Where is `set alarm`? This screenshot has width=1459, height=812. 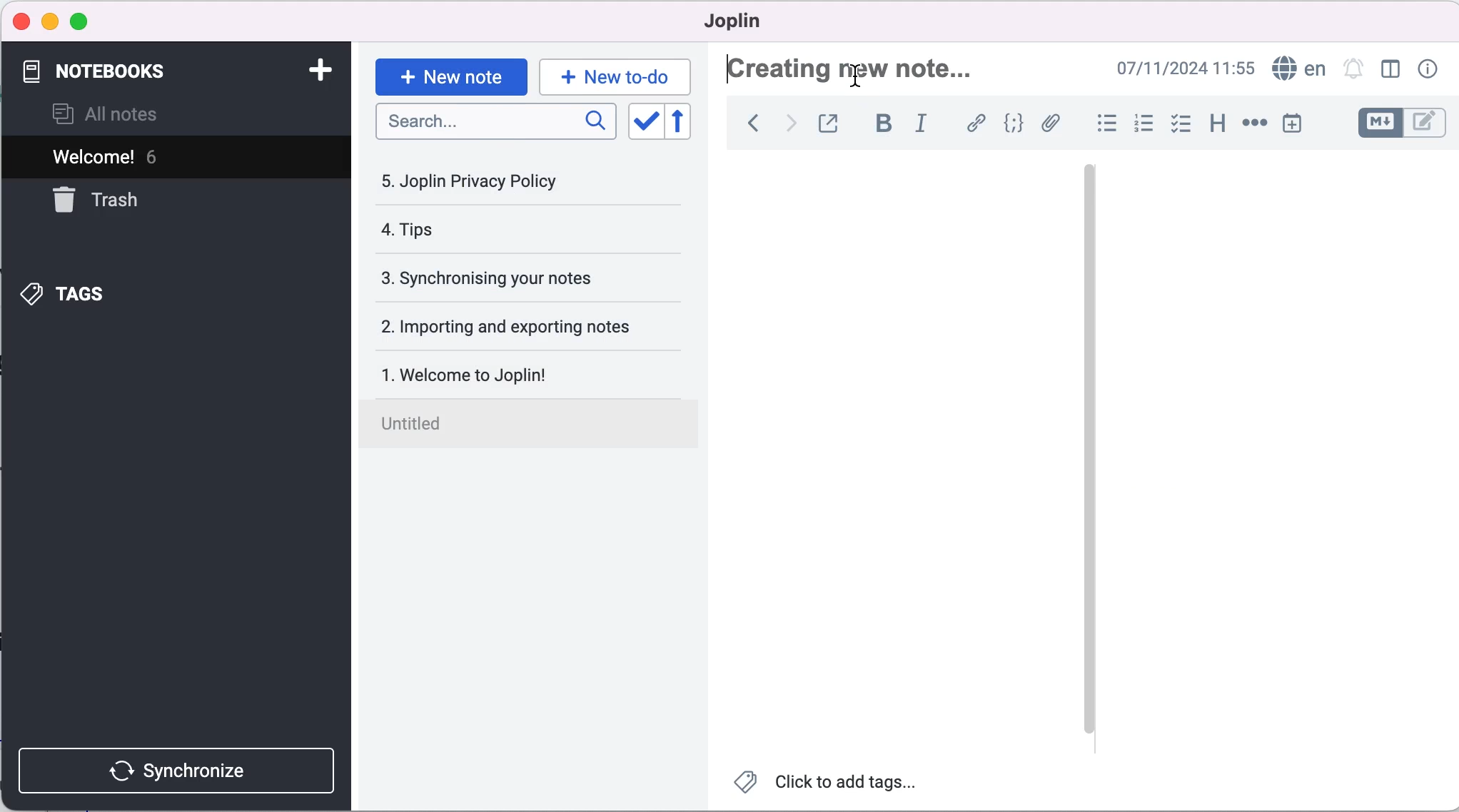
set alarm is located at coordinates (1353, 70).